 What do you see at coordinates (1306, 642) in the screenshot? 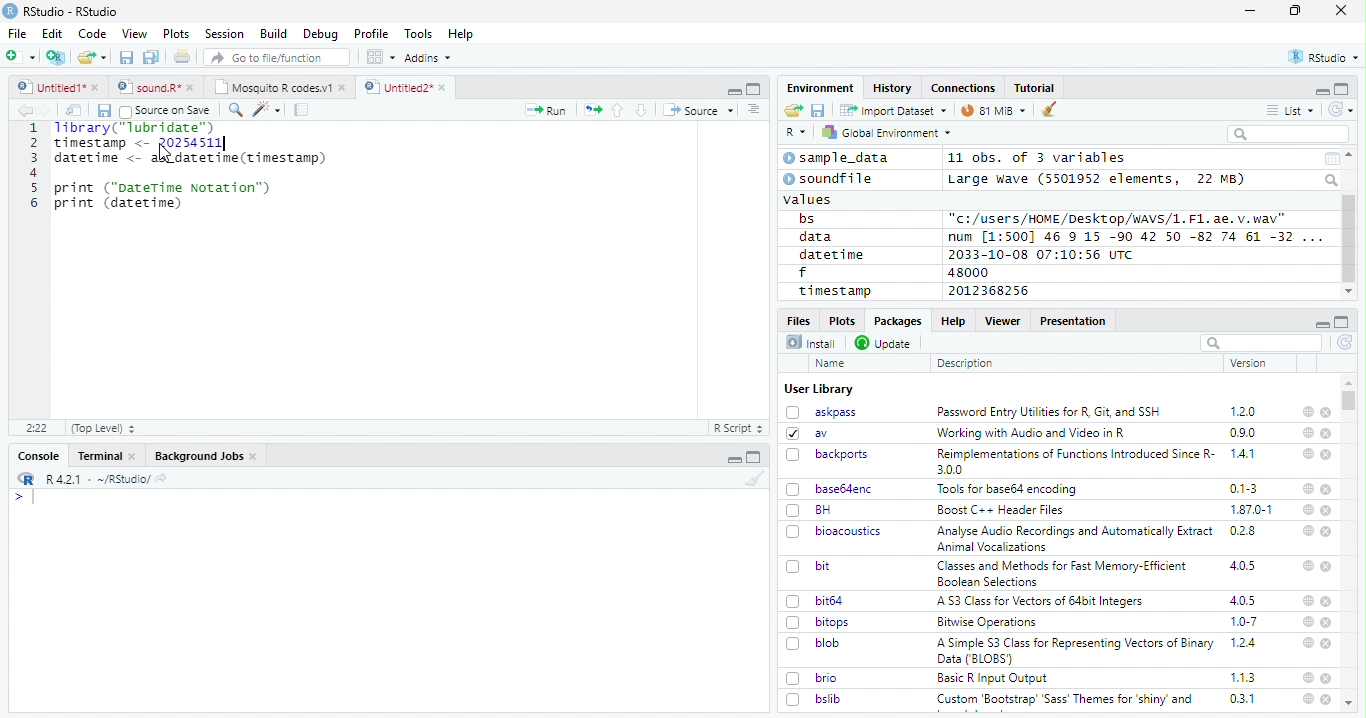
I see `help` at bounding box center [1306, 642].